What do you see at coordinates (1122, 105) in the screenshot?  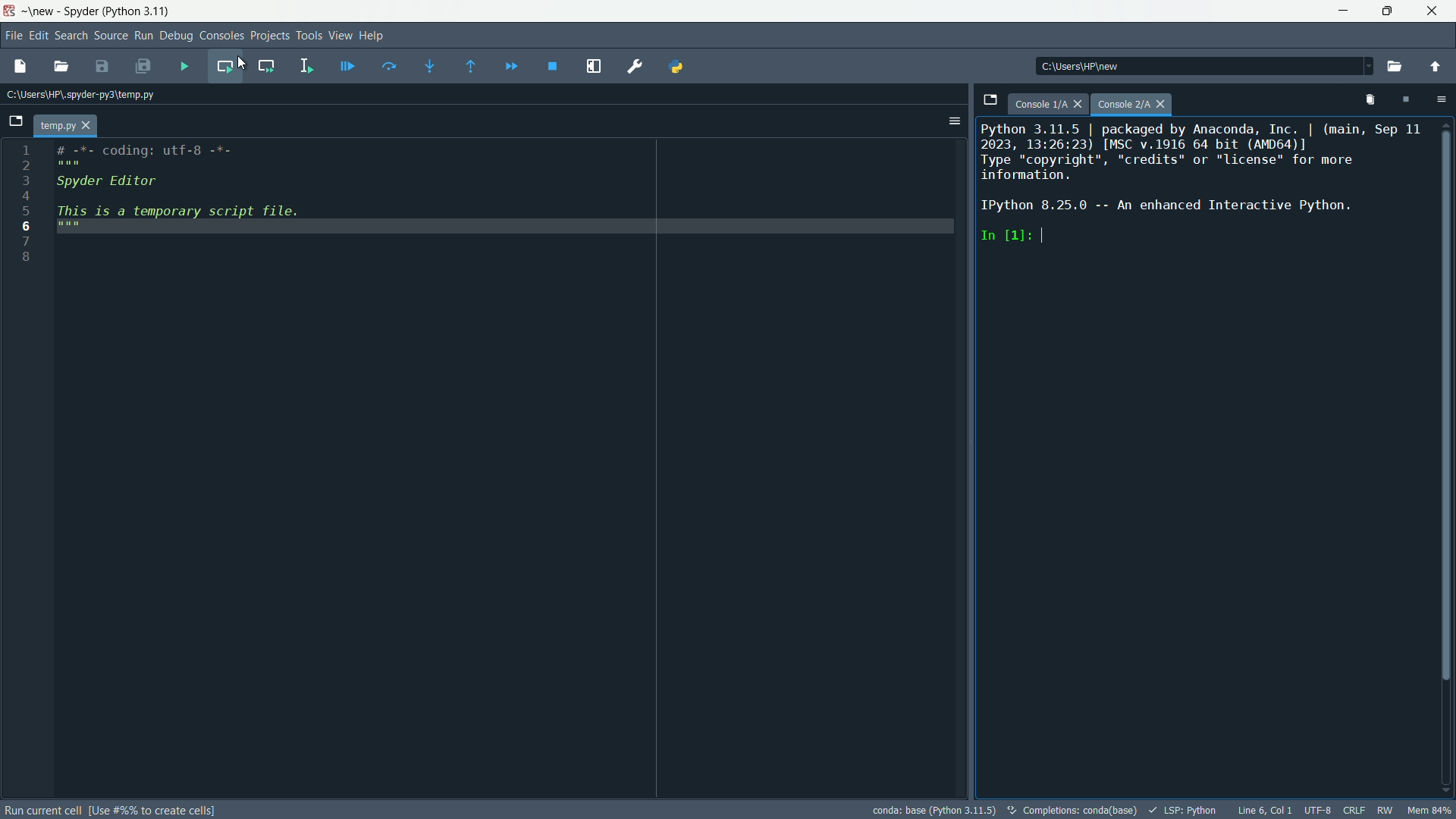 I see `Console 2/A` at bounding box center [1122, 105].